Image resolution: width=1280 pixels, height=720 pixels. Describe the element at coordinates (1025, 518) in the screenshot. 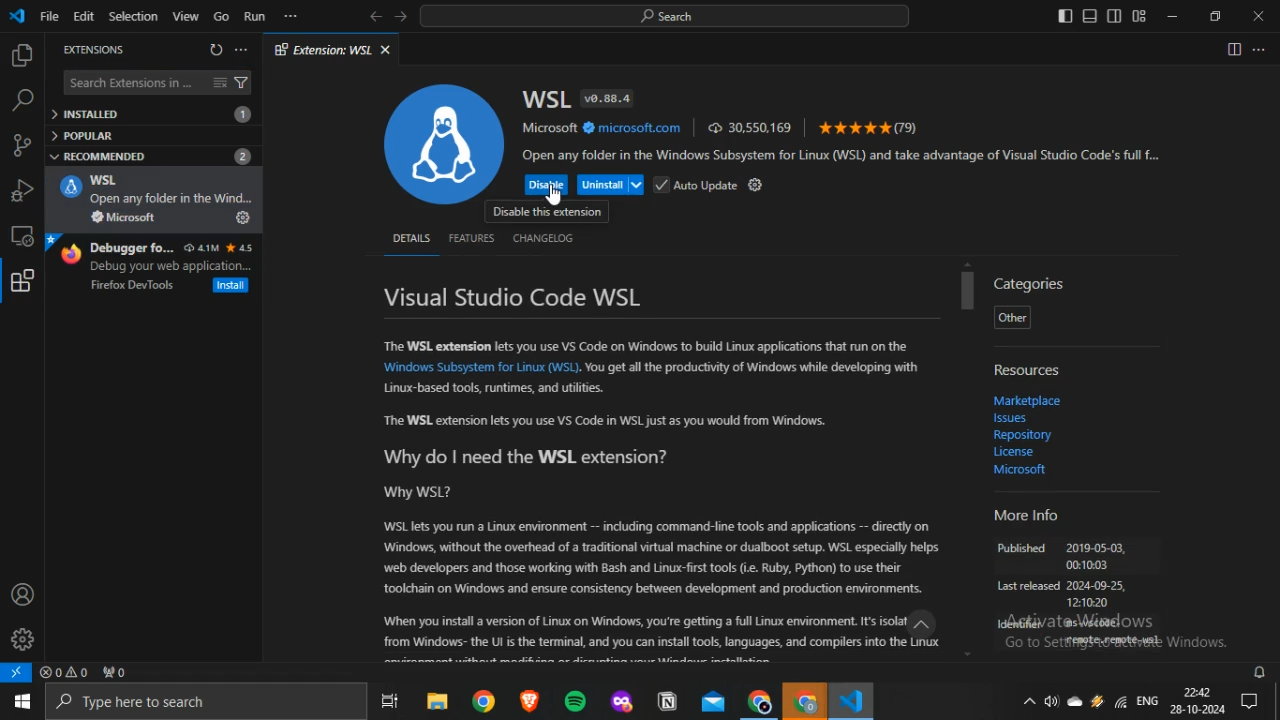

I see `More Info` at that location.